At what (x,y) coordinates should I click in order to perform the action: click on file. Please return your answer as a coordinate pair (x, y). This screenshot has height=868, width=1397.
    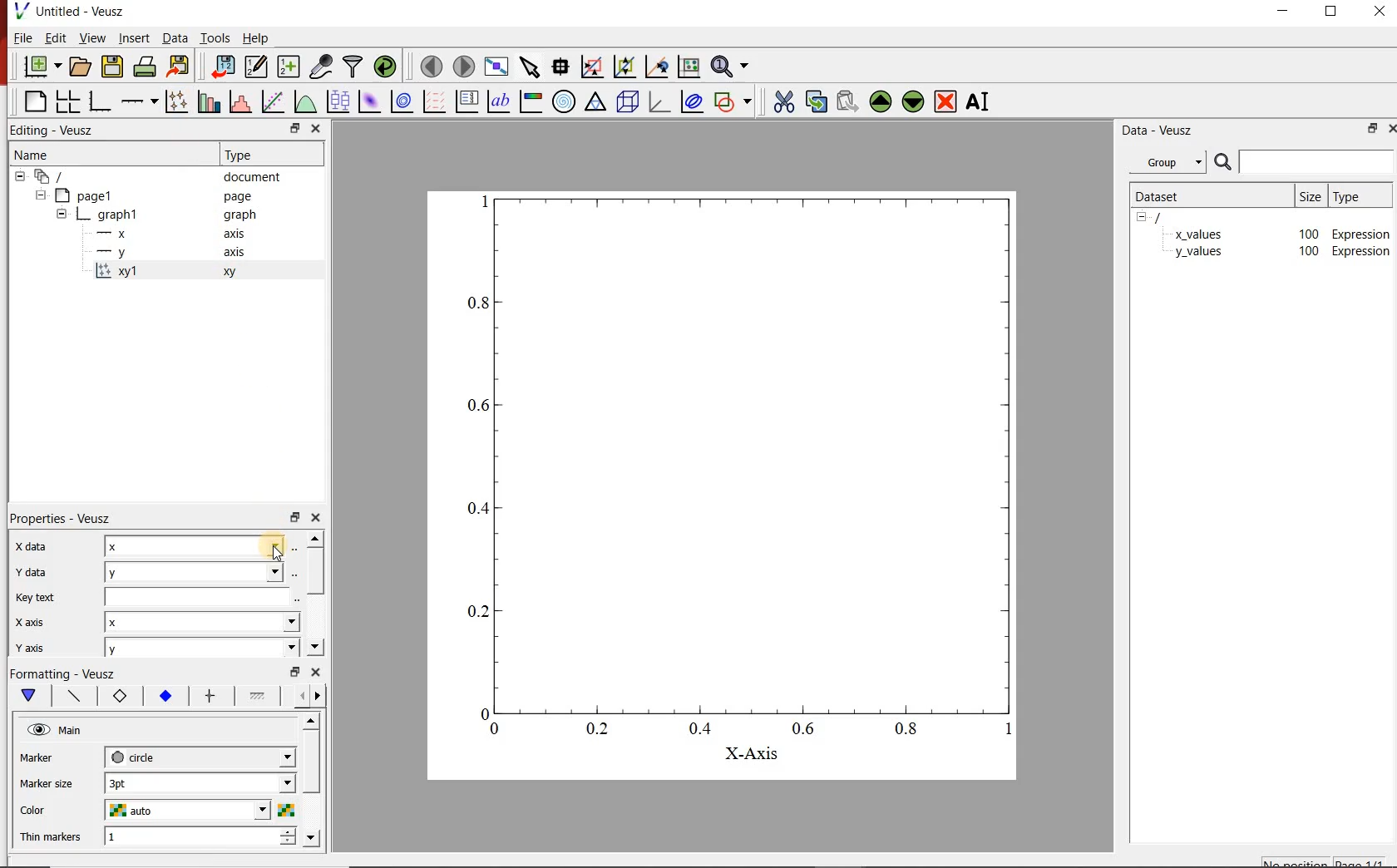
    Looking at the image, I should click on (24, 37).